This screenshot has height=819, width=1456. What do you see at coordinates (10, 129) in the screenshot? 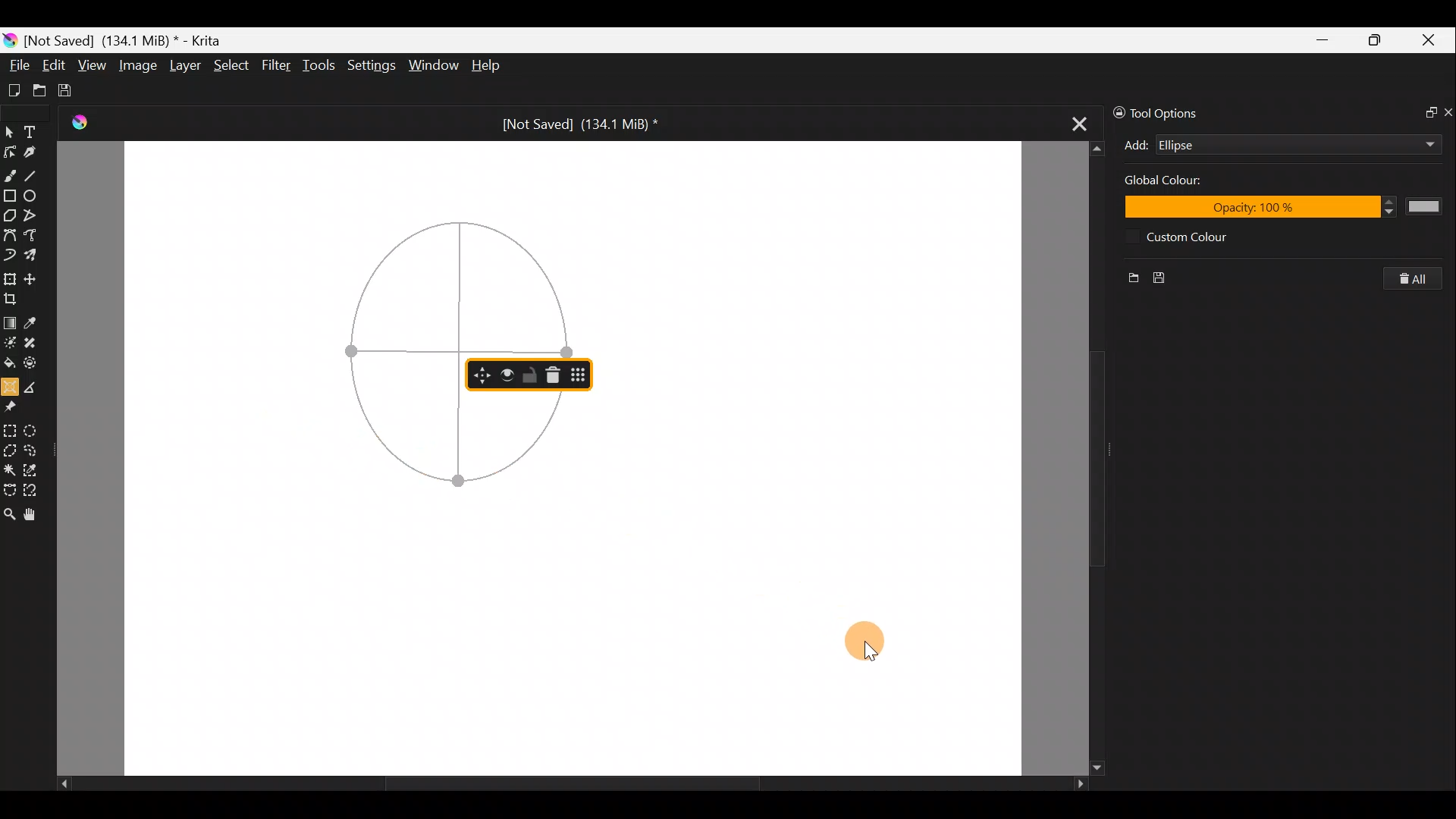
I see `Select shapes tool` at bounding box center [10, 129].